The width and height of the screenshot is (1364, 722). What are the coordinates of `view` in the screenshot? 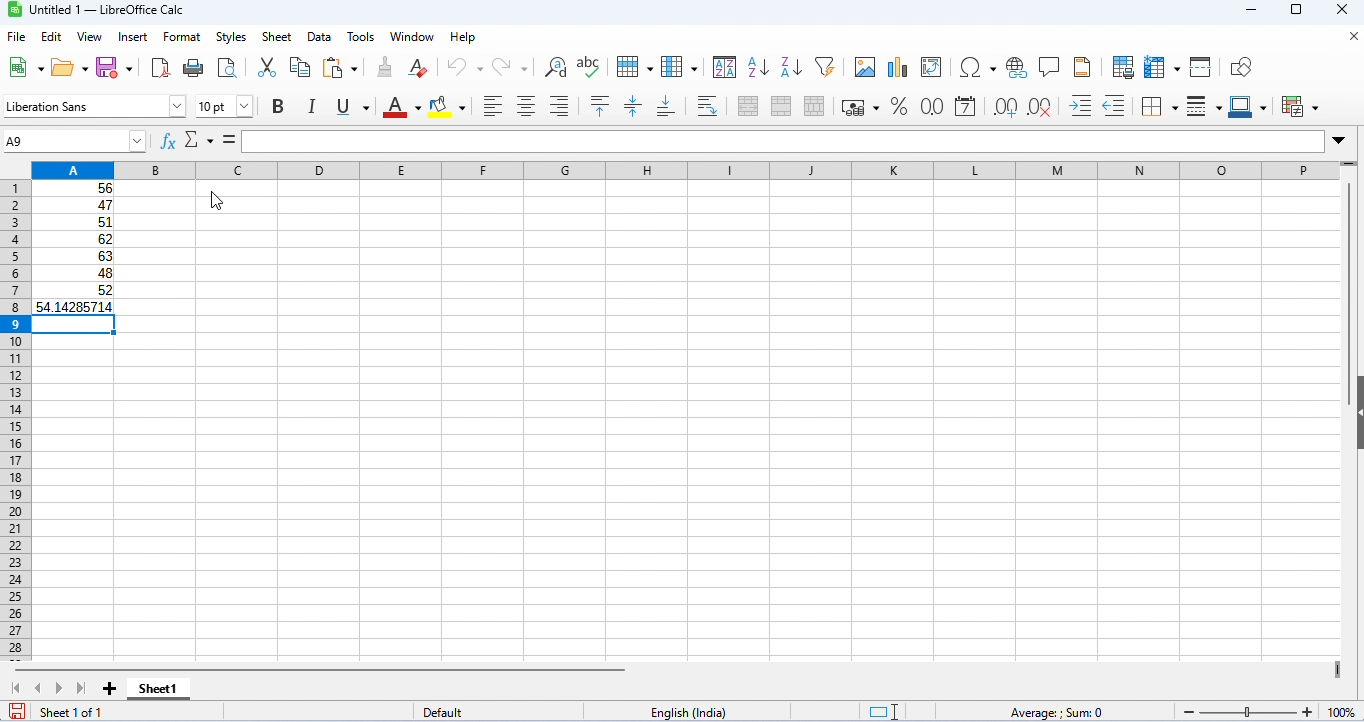 It's located at (90, 37).